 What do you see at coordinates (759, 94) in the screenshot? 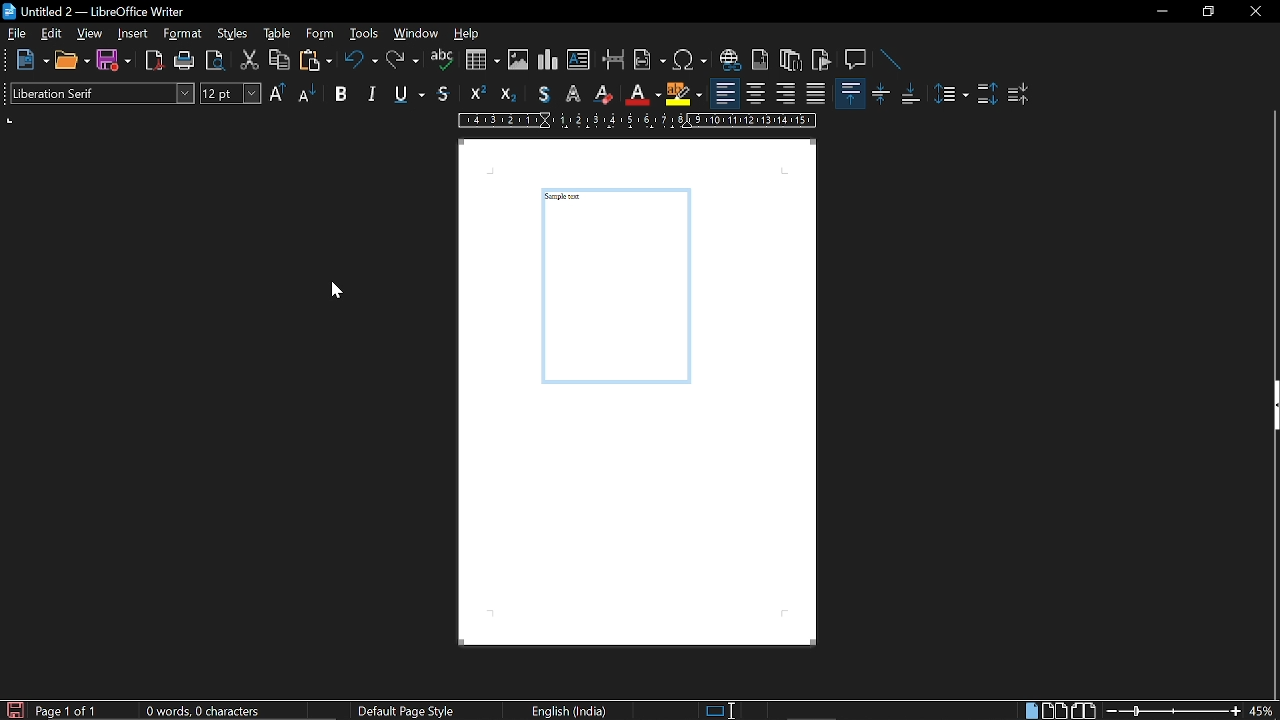
I see `align center` at bounding box center [759, 94].